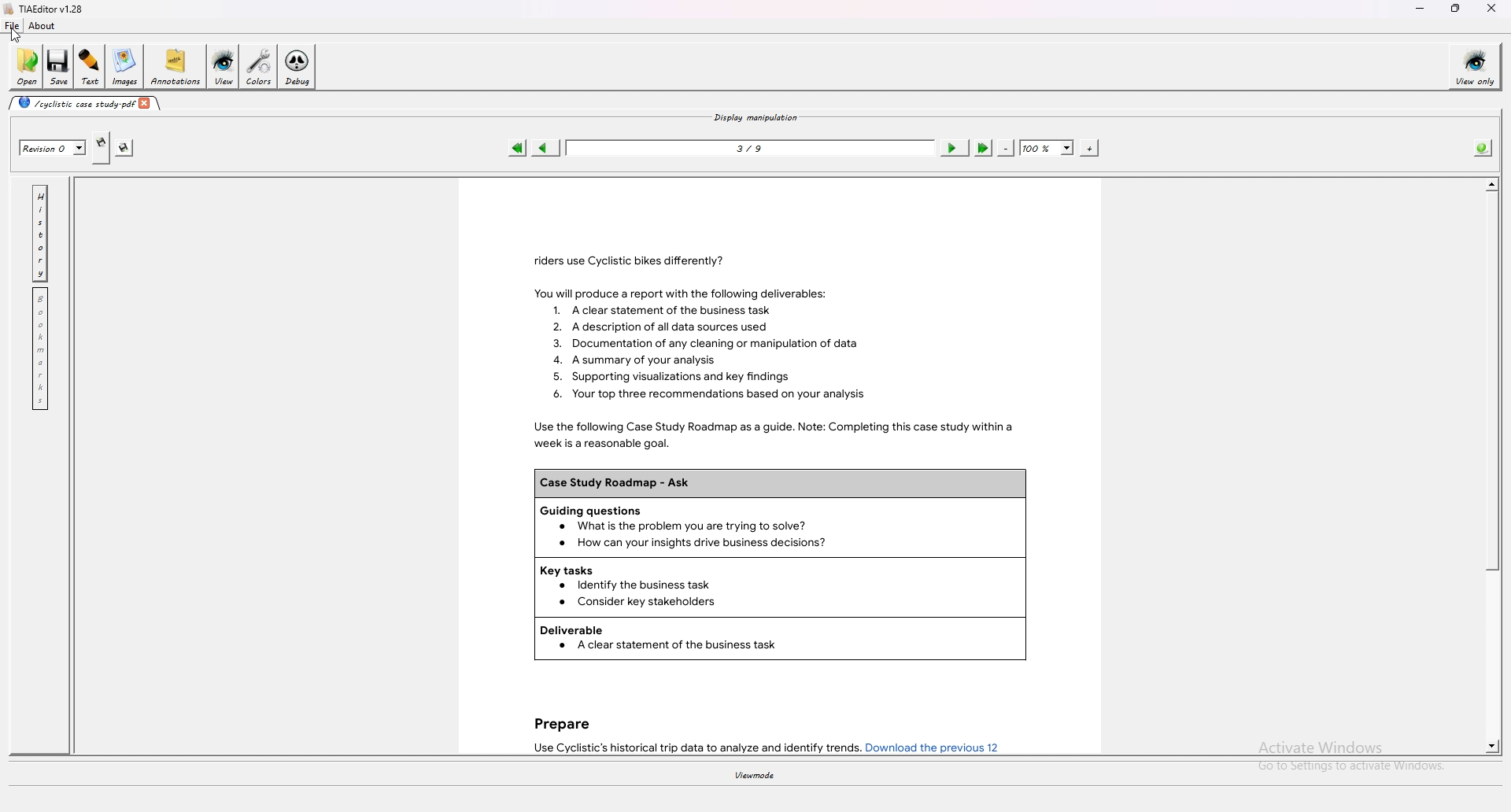  Describe the element at coordinates (123, 148) in the screenshot. I see `save this revision` at that location.